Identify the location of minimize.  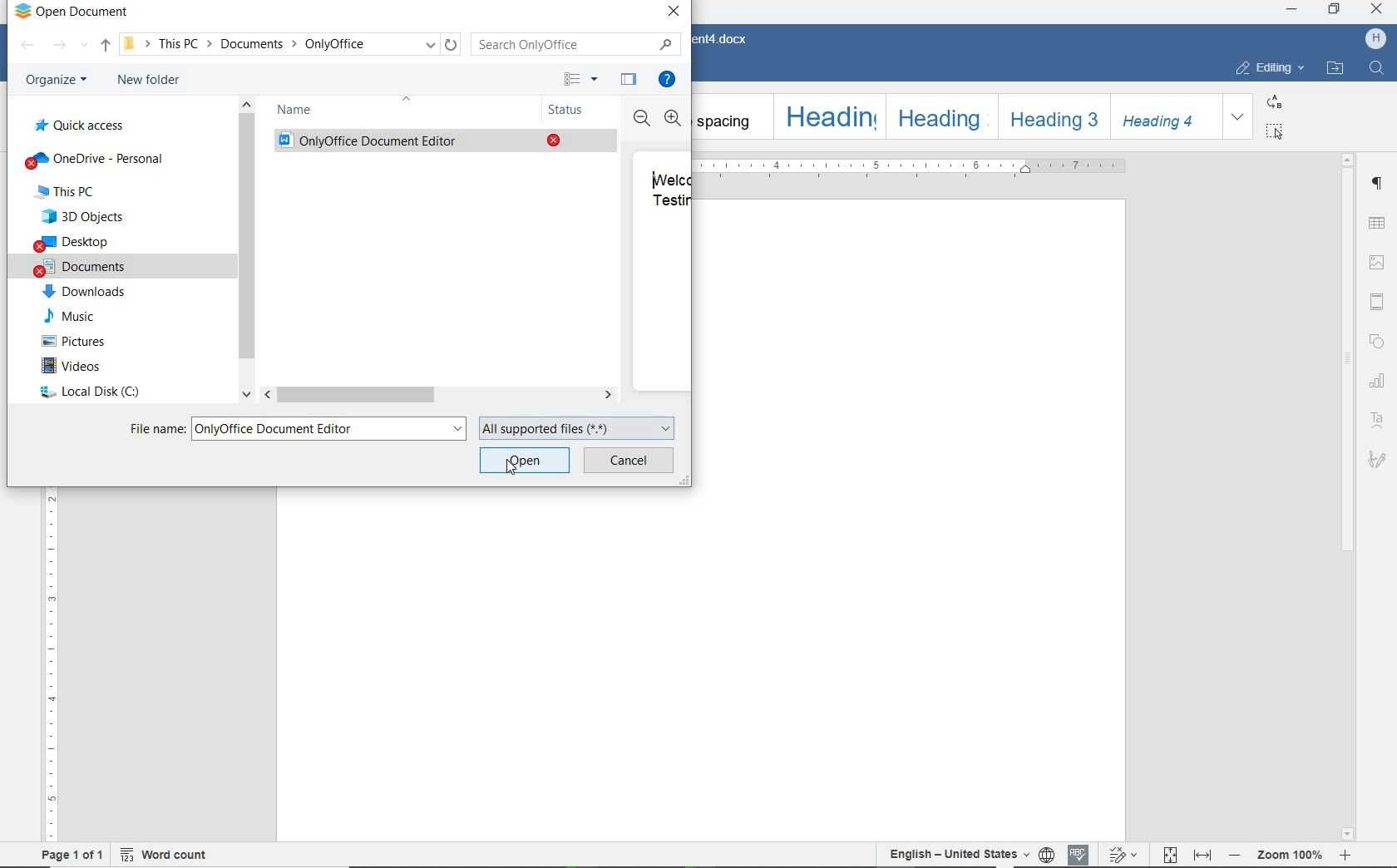
(1291, 8).